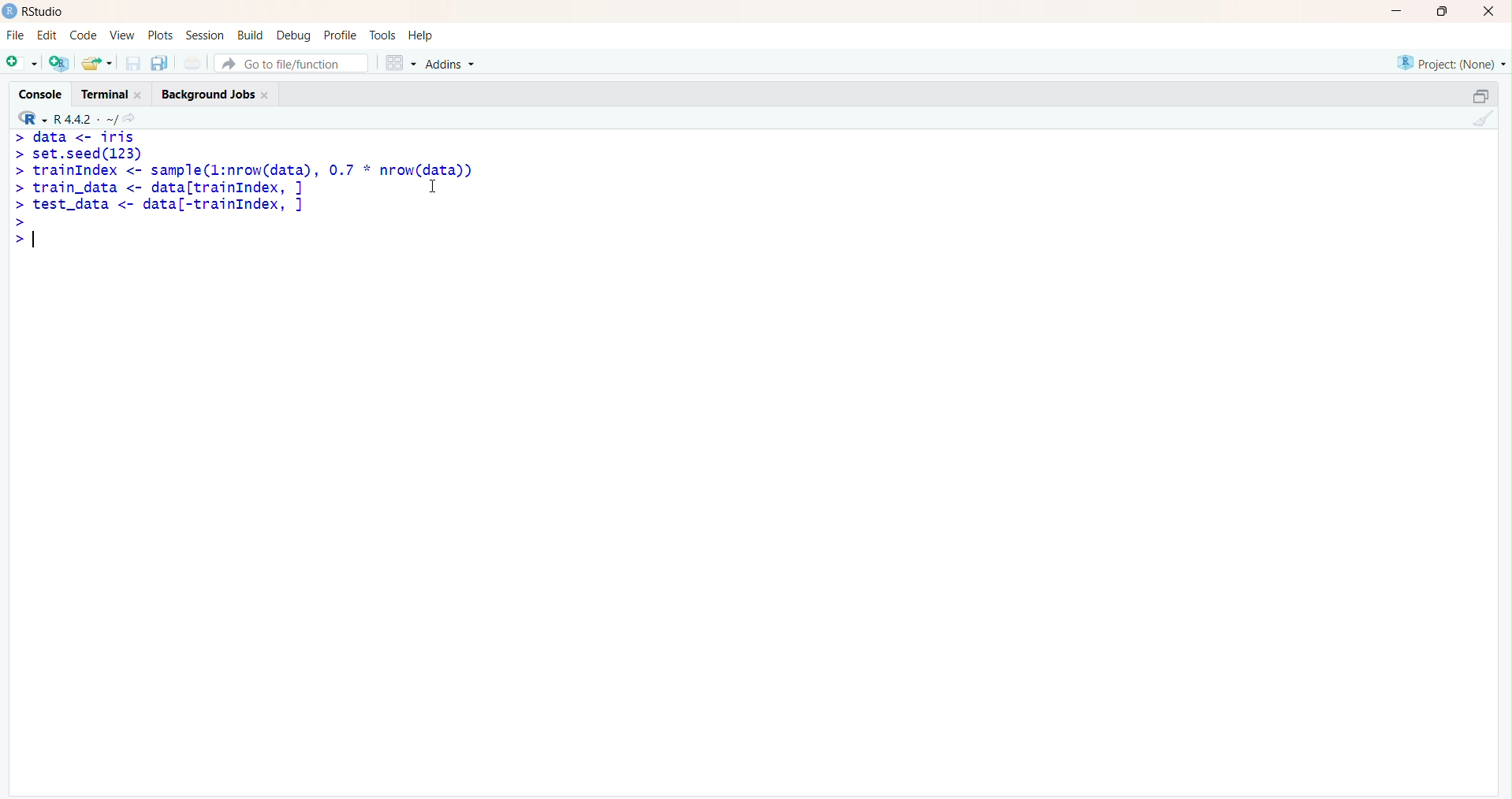 The width and height of the screenshot is (1512, 799). What do you see at coordinates (29, 117) in the screenshot?
I see `RStudio logo` at bounding box center [29, 117].